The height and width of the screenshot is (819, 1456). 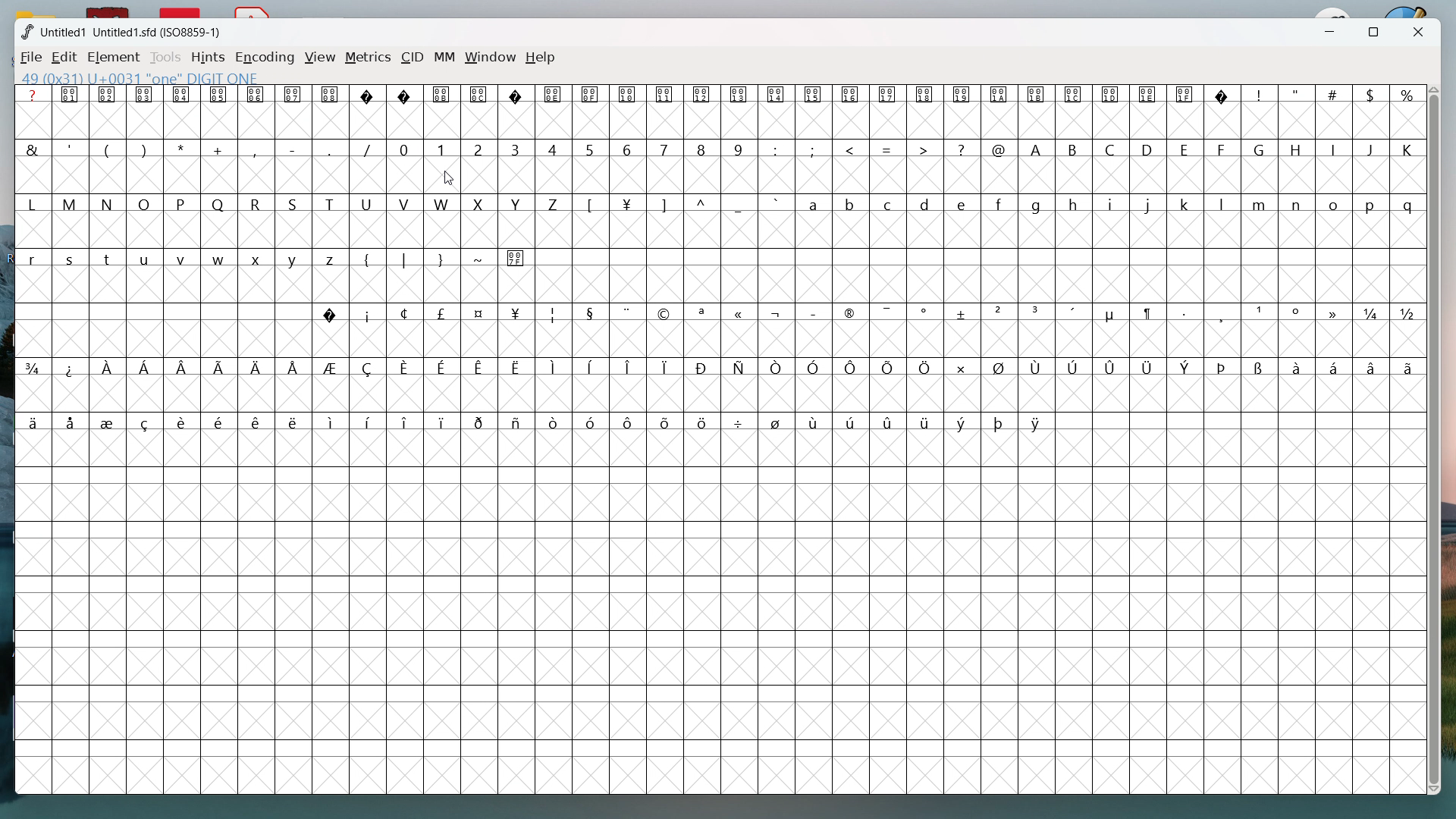 I want to click on symbol, so click(x=964, y=312).